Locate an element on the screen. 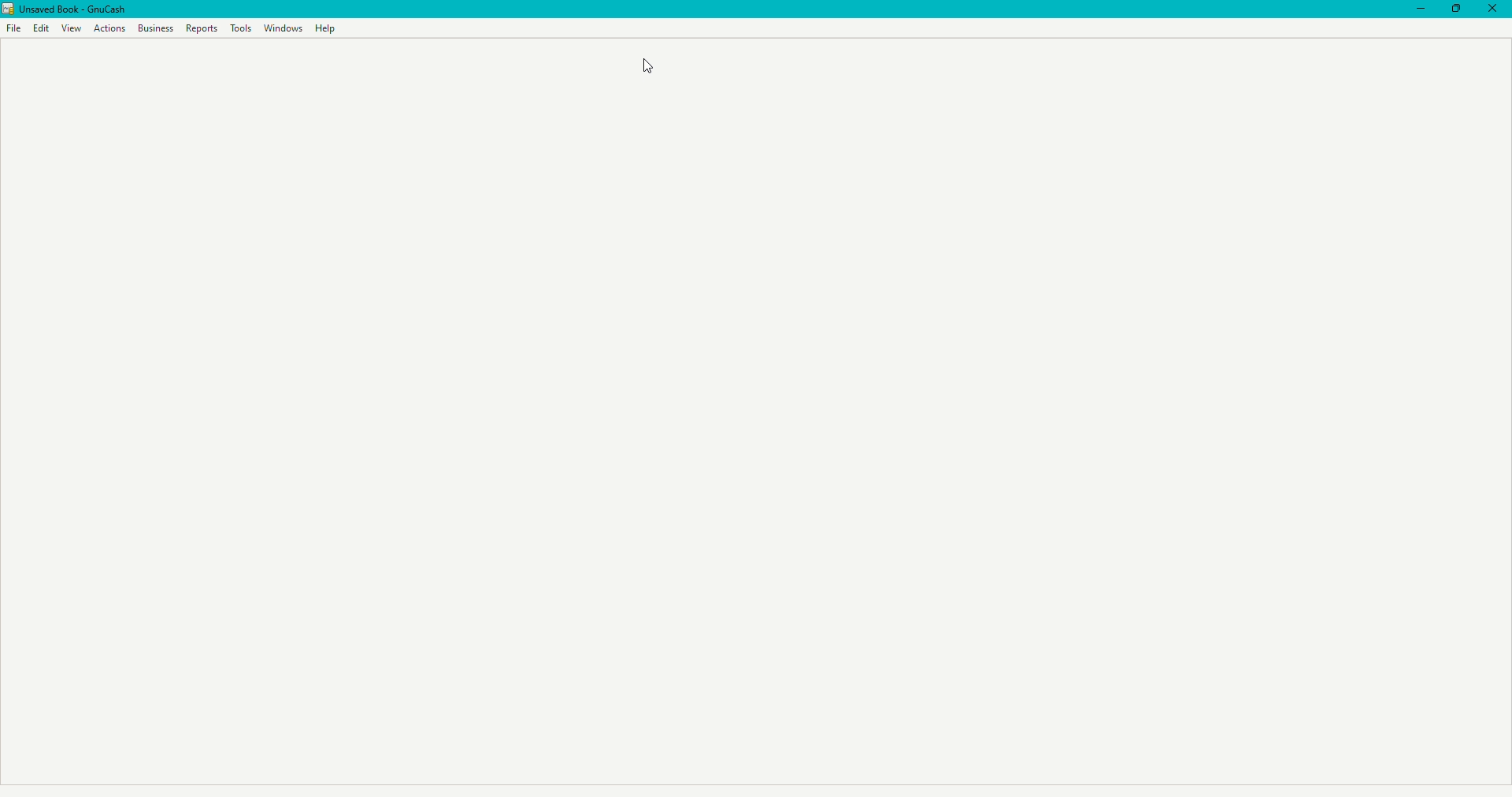  Reports is located at coordinates (202, 28).